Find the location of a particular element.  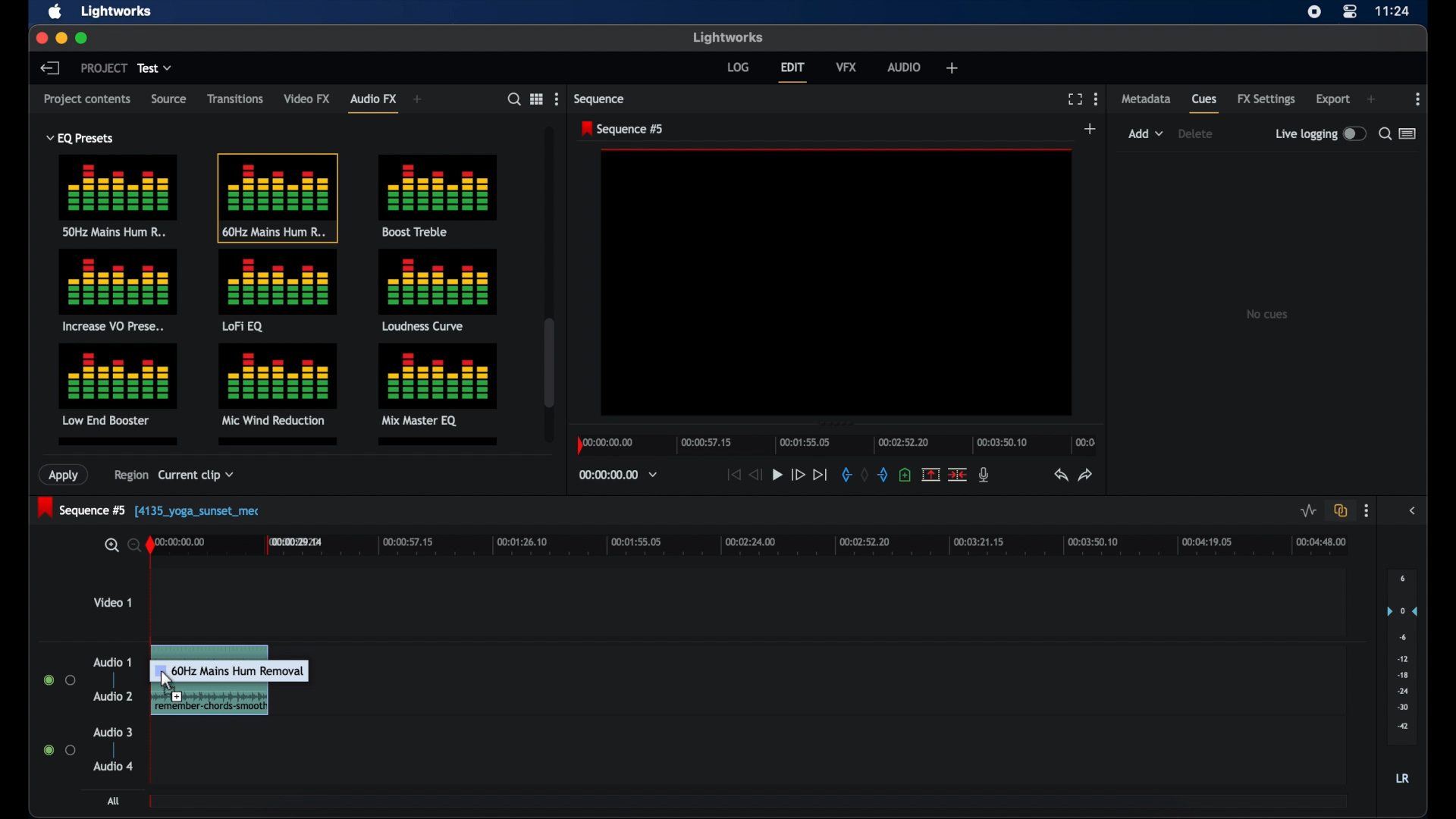

clear marks is located at coordinates (864, 473).